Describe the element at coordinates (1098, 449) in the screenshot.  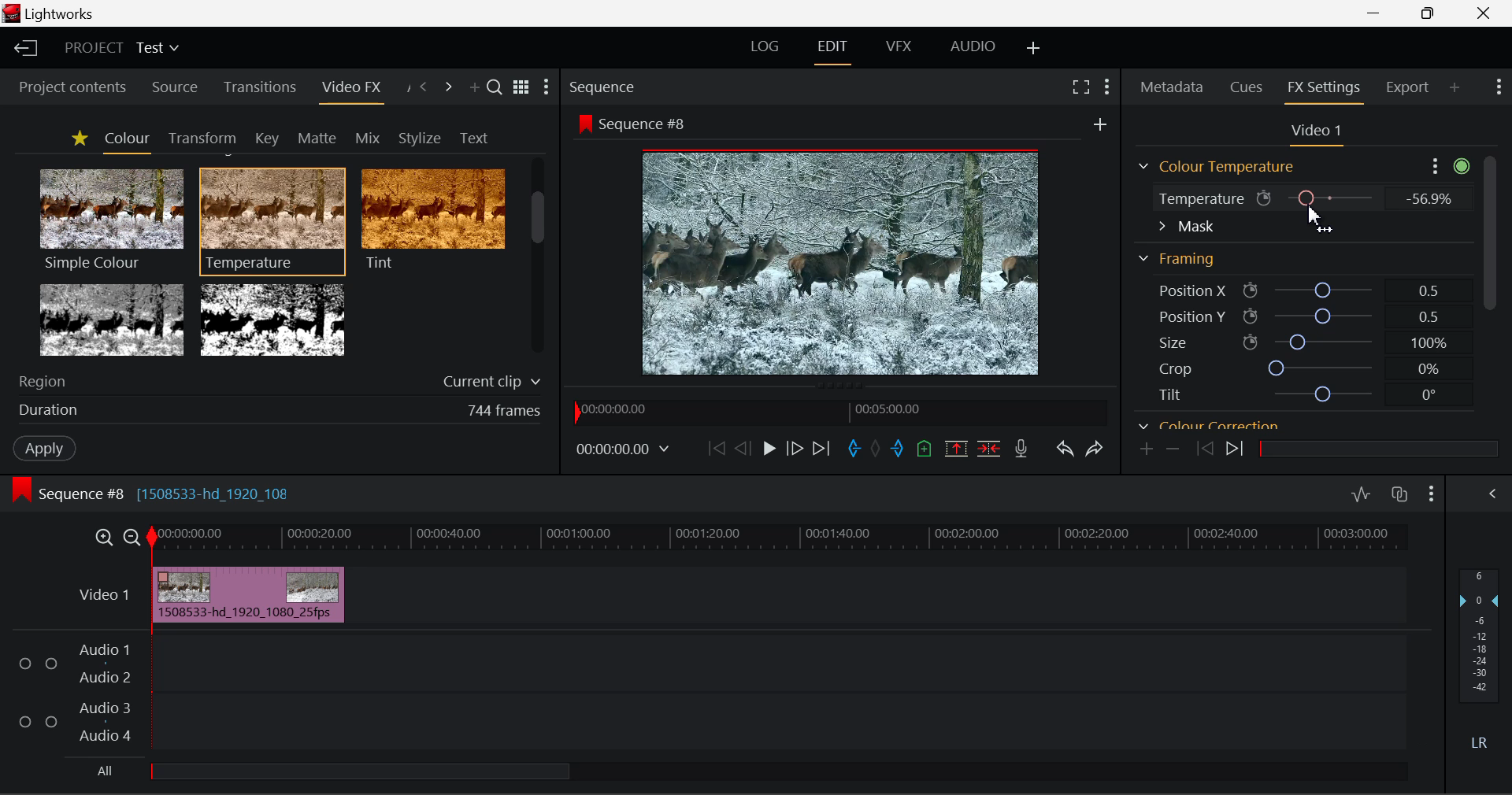
I see `Redo` at that location.